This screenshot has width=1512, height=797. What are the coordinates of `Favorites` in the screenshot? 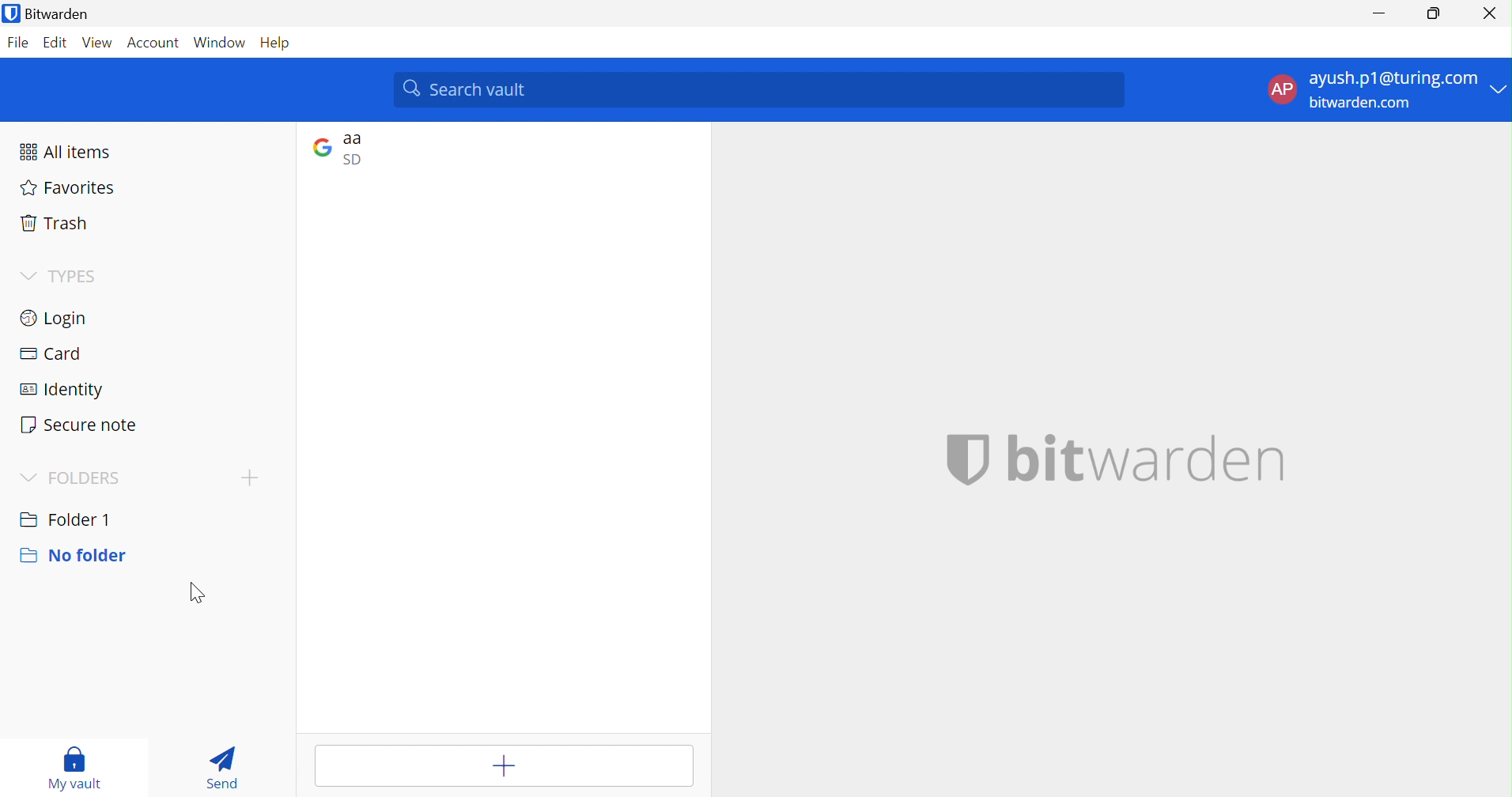 It's located at (69, 187).